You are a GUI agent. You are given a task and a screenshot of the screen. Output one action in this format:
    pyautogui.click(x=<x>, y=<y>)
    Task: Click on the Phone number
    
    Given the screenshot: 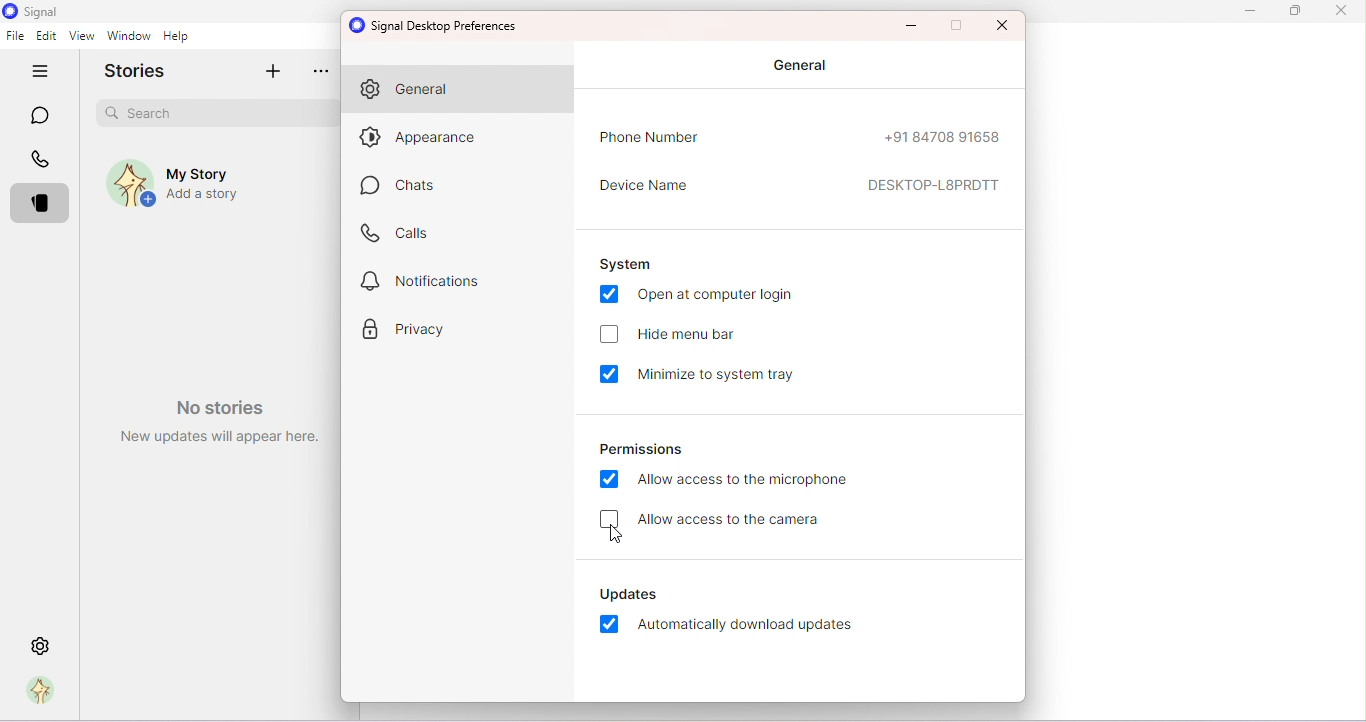 What is the action you would take?
    pyautogui.click(x=794, y=140)
    